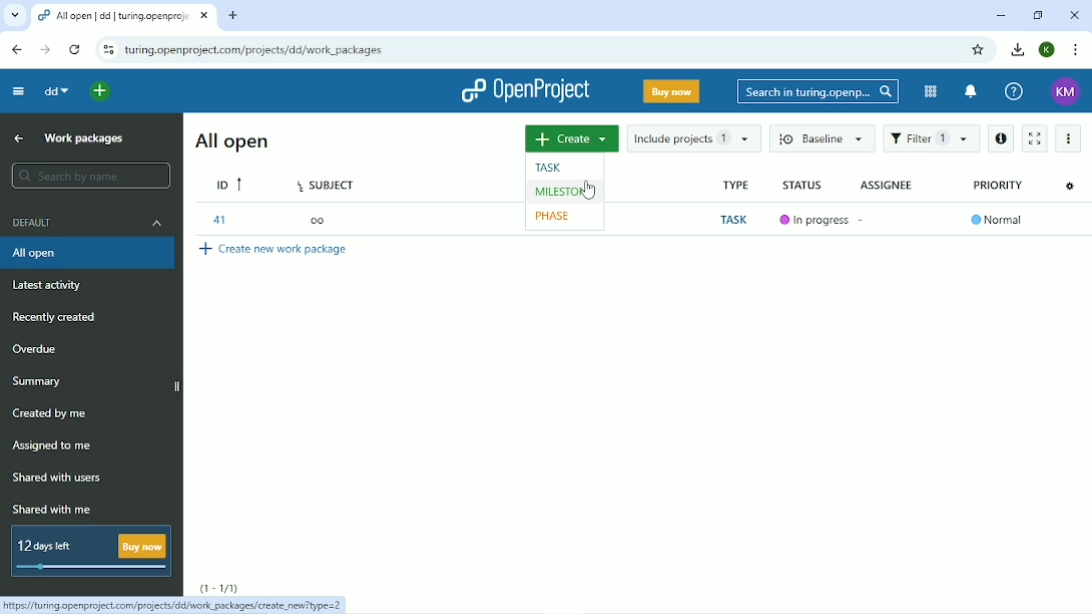 Image resolution: width=1092 pixels, height=614 pixels. I want to click on KM, so click(1065, 92).